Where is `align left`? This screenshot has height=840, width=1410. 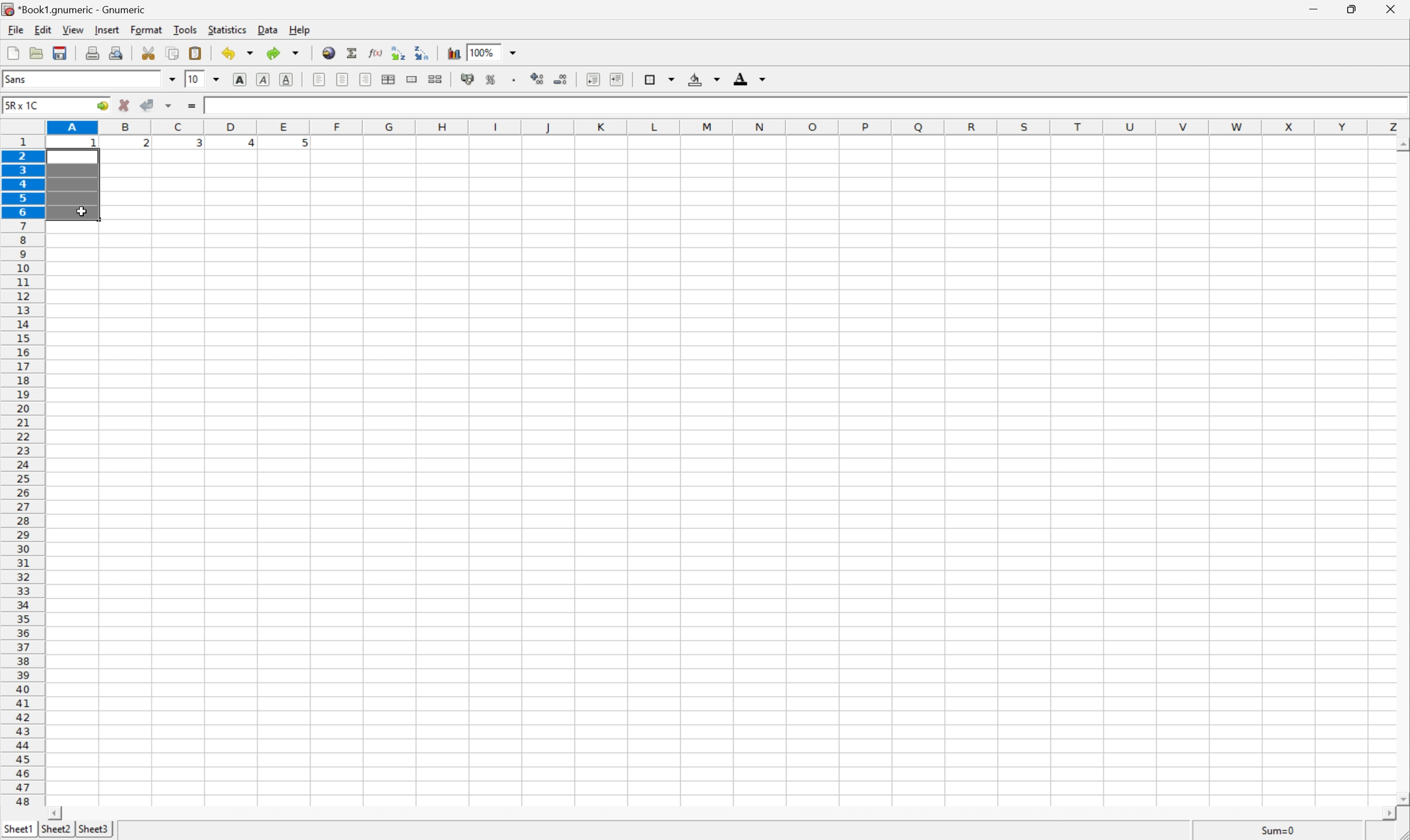
align left is located at coordinates (320, 79).